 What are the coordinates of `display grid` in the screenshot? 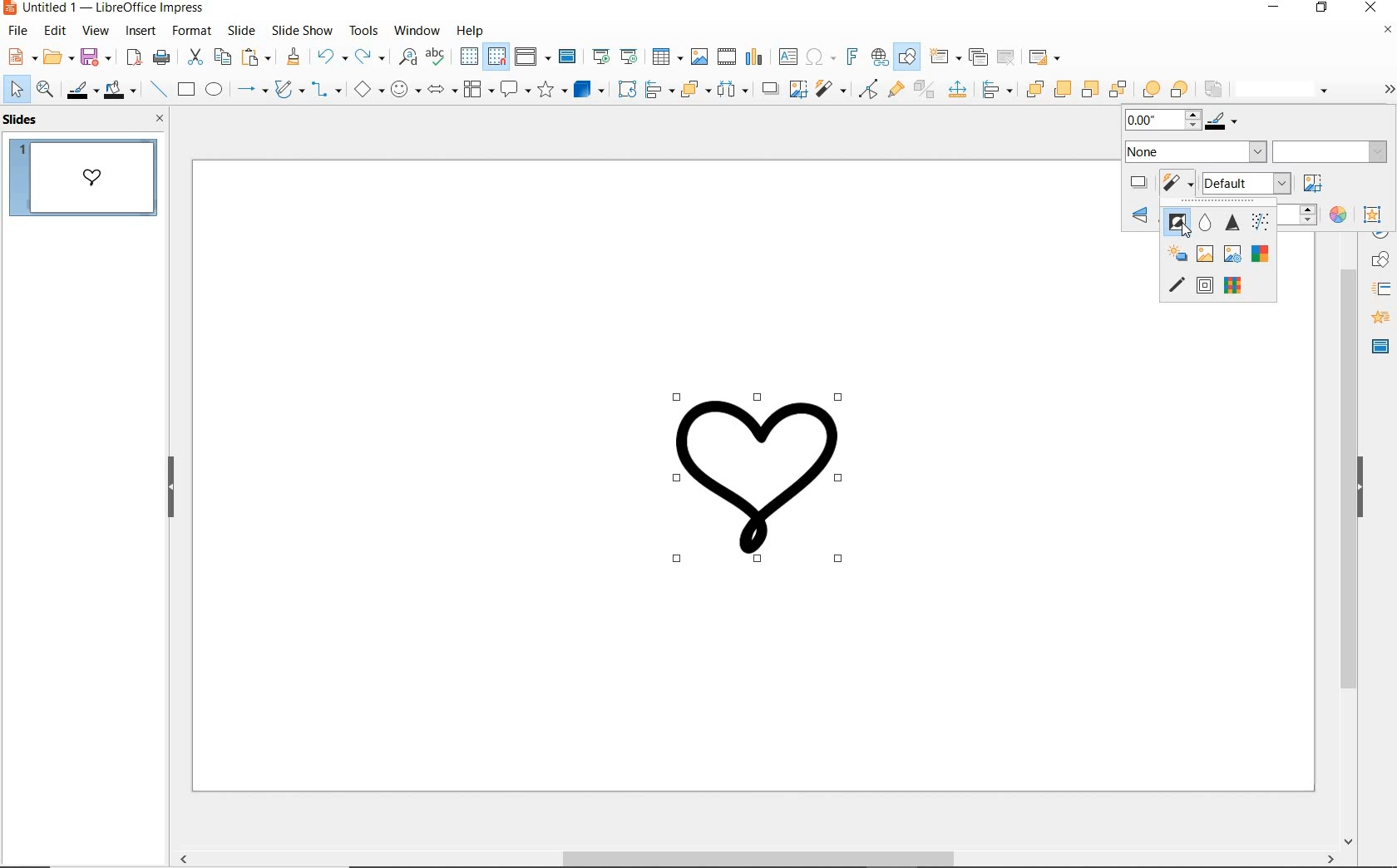 It's located at (469, 57).